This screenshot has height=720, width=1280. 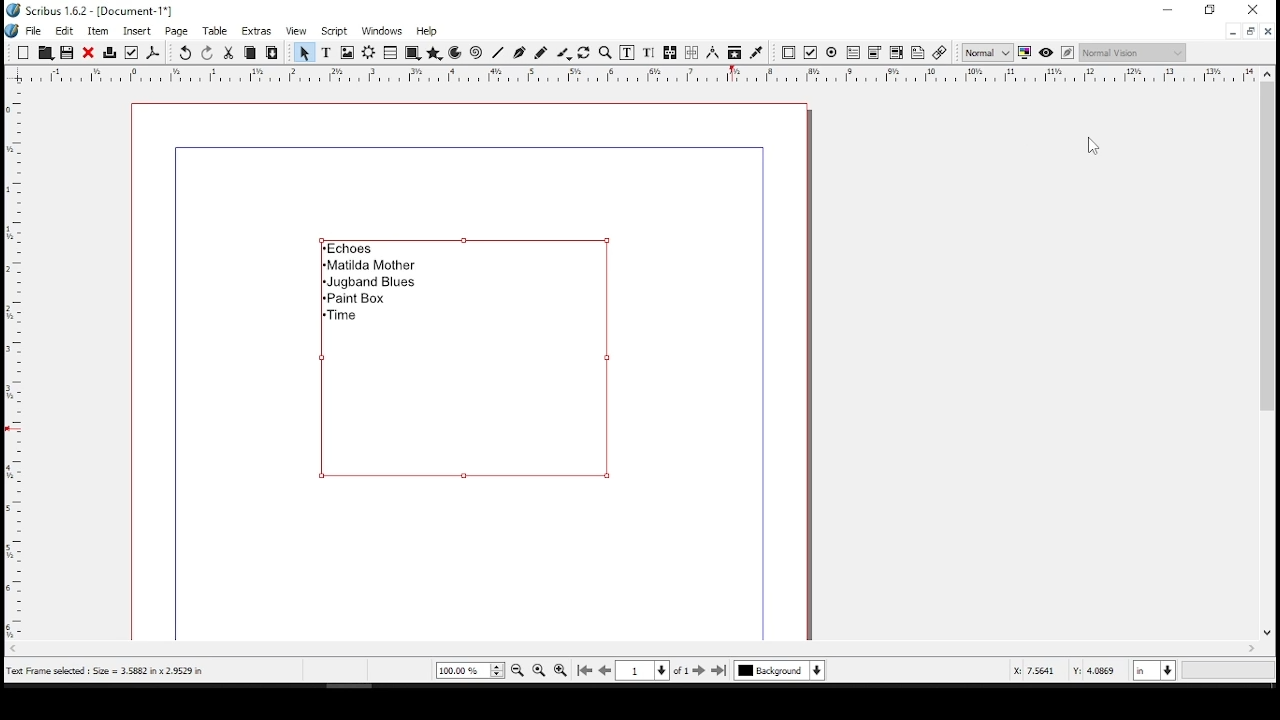 What do you see at coordinates (36, 30) in the screenshot?
I see `file` at bounding box center [36, 30].